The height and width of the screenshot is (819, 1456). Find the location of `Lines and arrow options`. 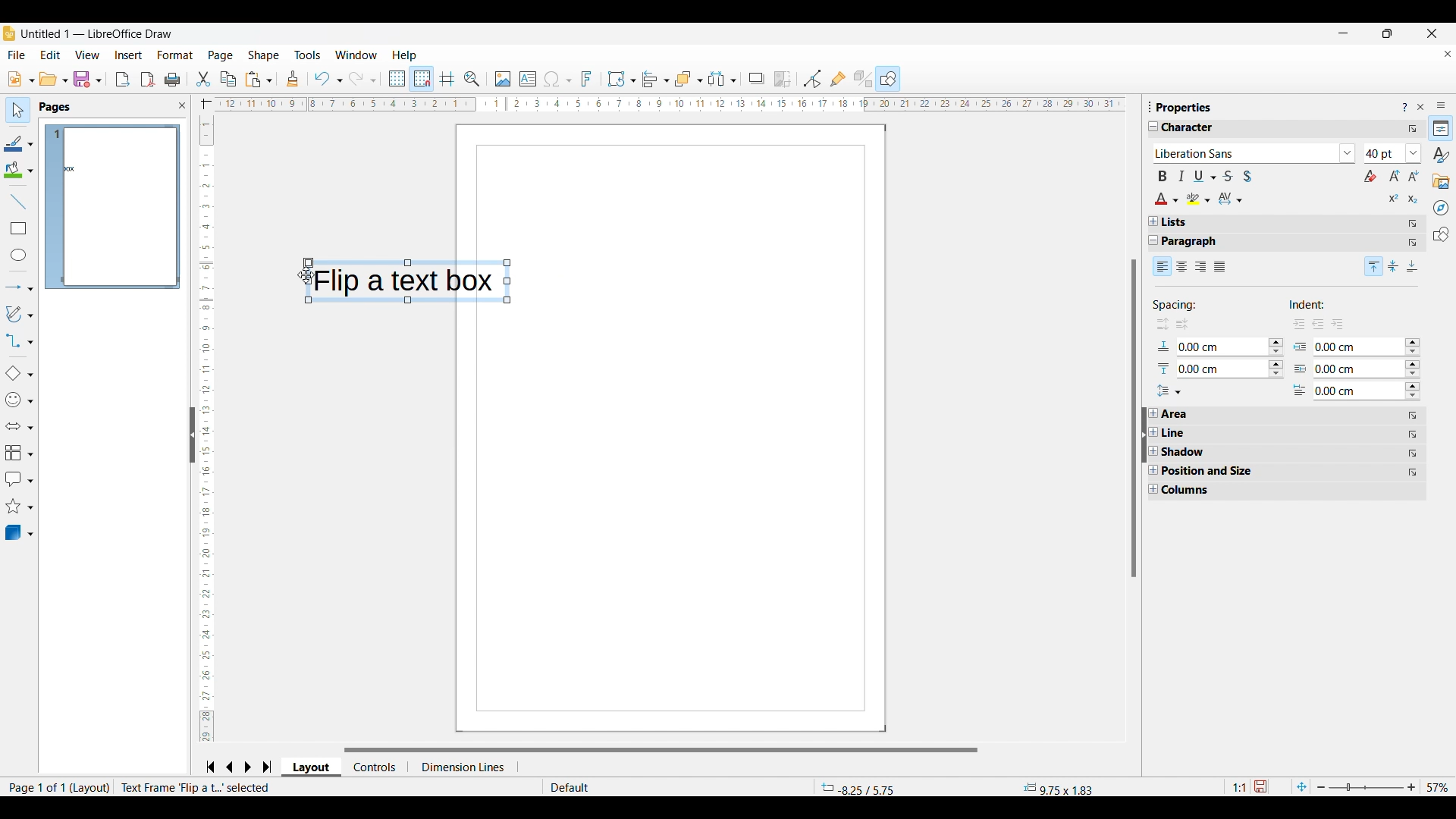

Lines and arrow options is located at coordinates (19, 288).